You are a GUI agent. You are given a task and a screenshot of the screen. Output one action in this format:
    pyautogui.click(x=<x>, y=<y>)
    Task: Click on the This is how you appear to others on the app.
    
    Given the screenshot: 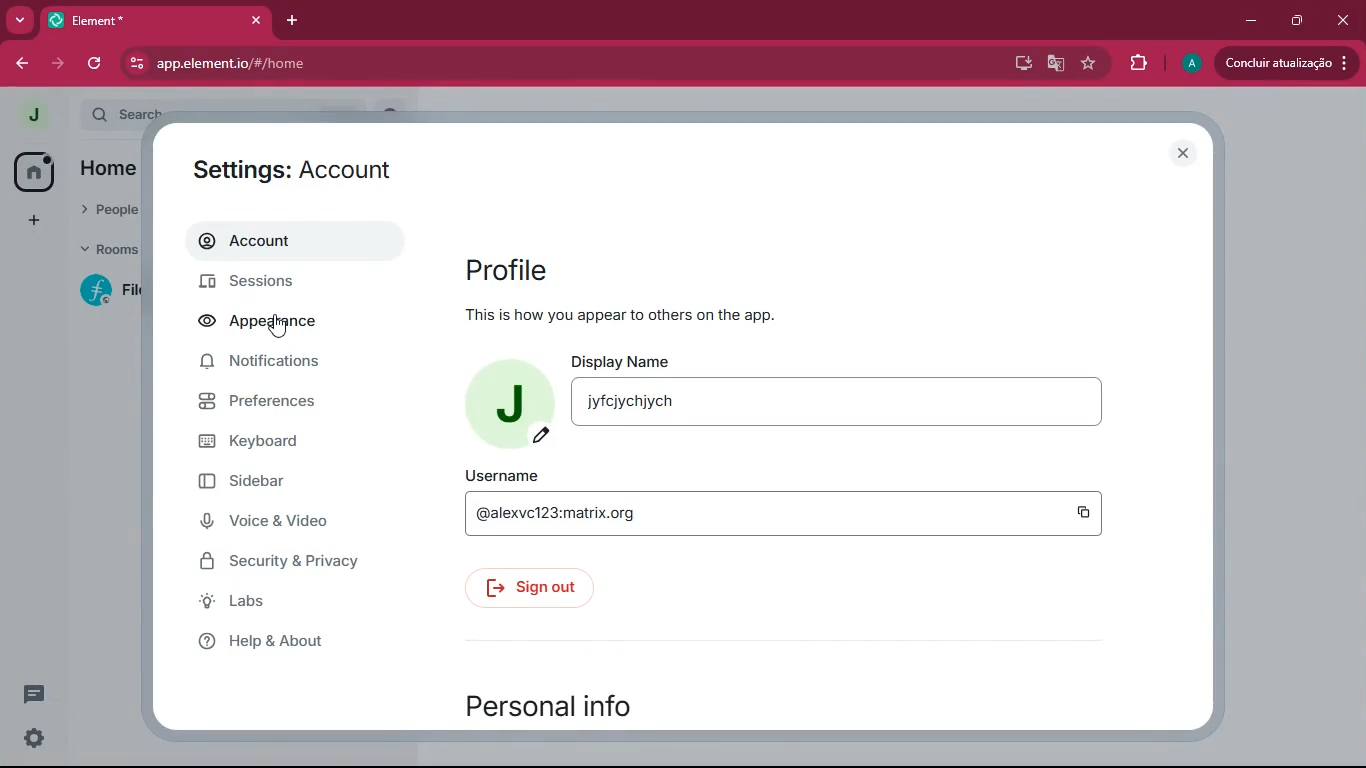 What is the action you would take?
    pyautogui.click(x=621, y=313)
    